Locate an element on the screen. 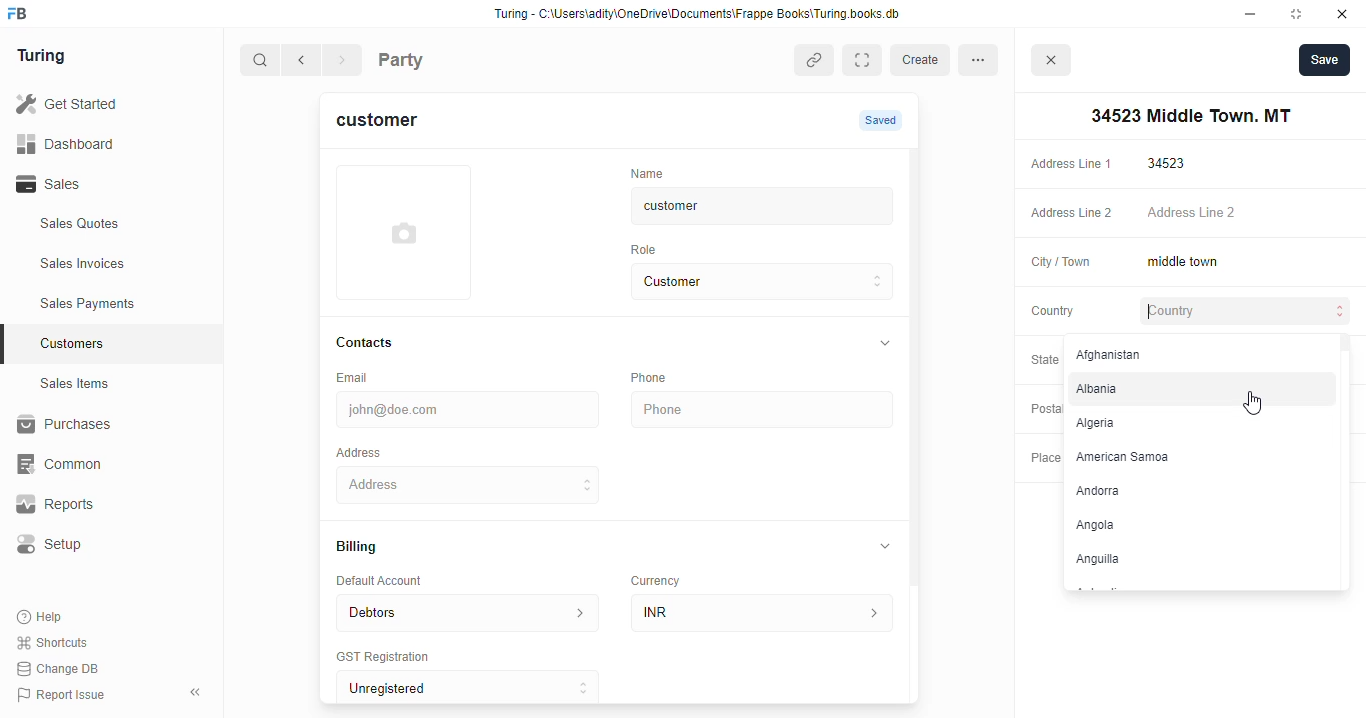 The image size is (1366, 718). Expand is located at coordinates (866, 60).